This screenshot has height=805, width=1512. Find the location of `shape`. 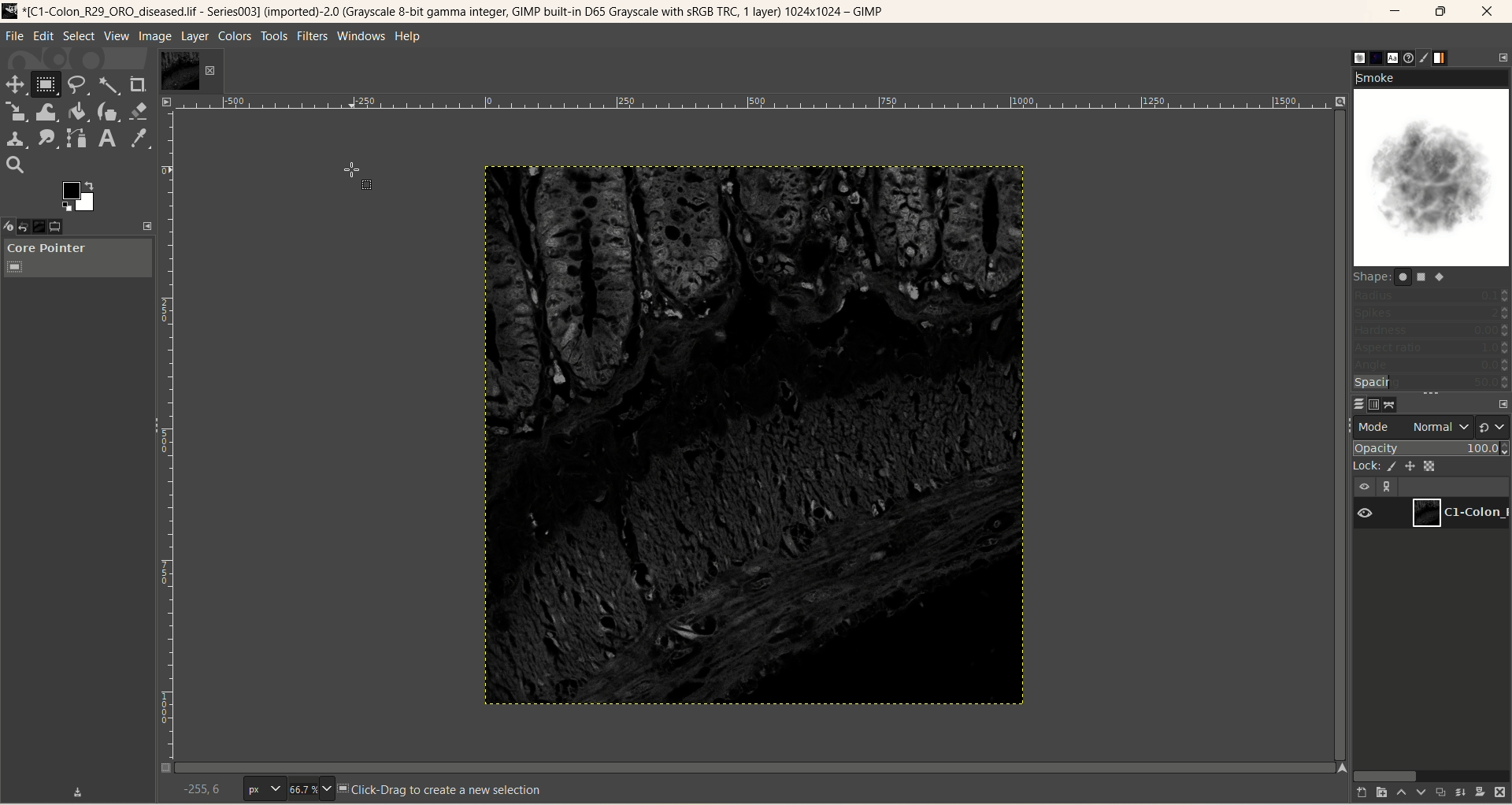

shape is located at coordinates (1403, 276).